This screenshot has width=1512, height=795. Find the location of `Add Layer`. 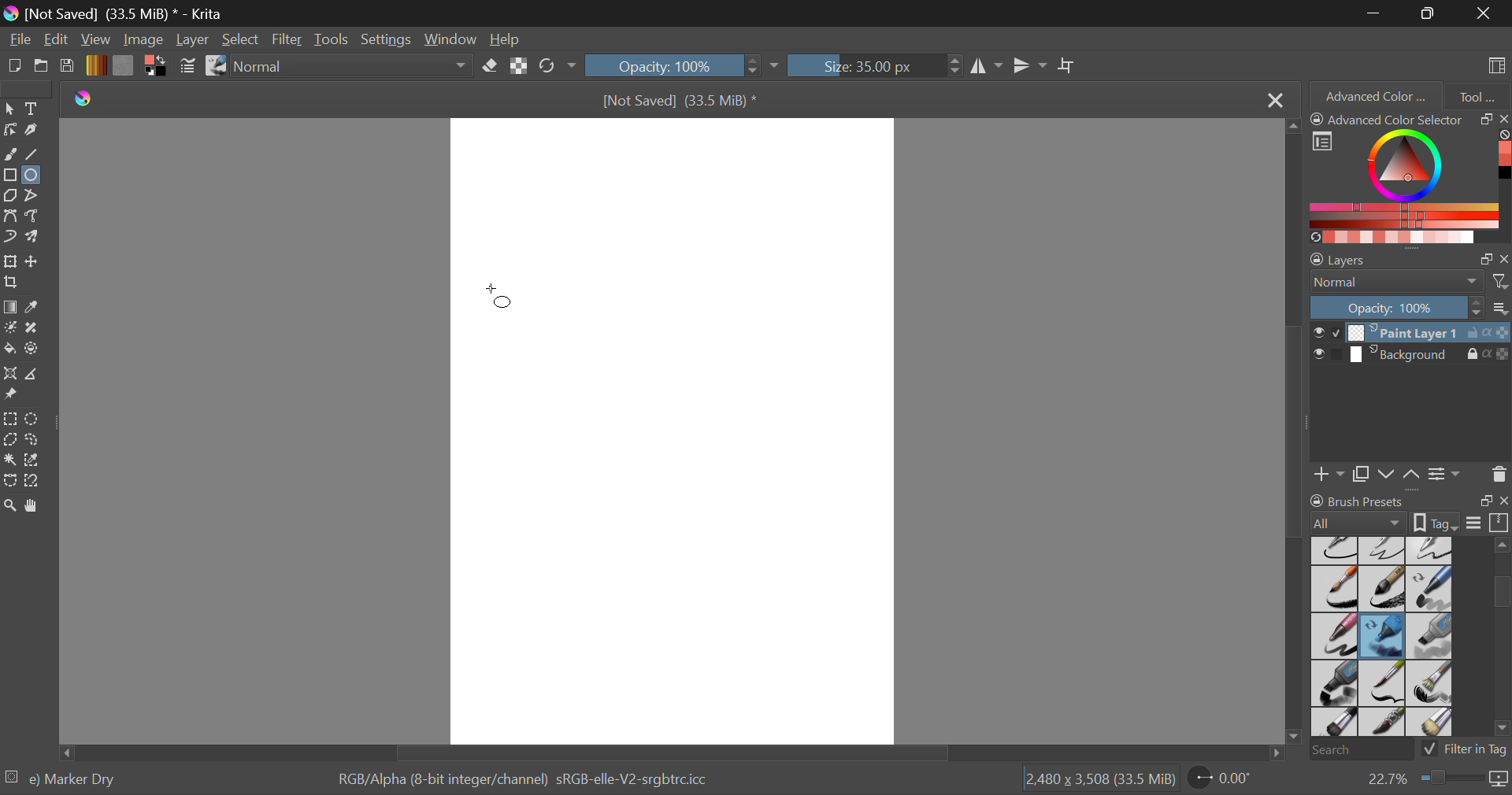

Add Layer is located at coordinates (1329, 472).